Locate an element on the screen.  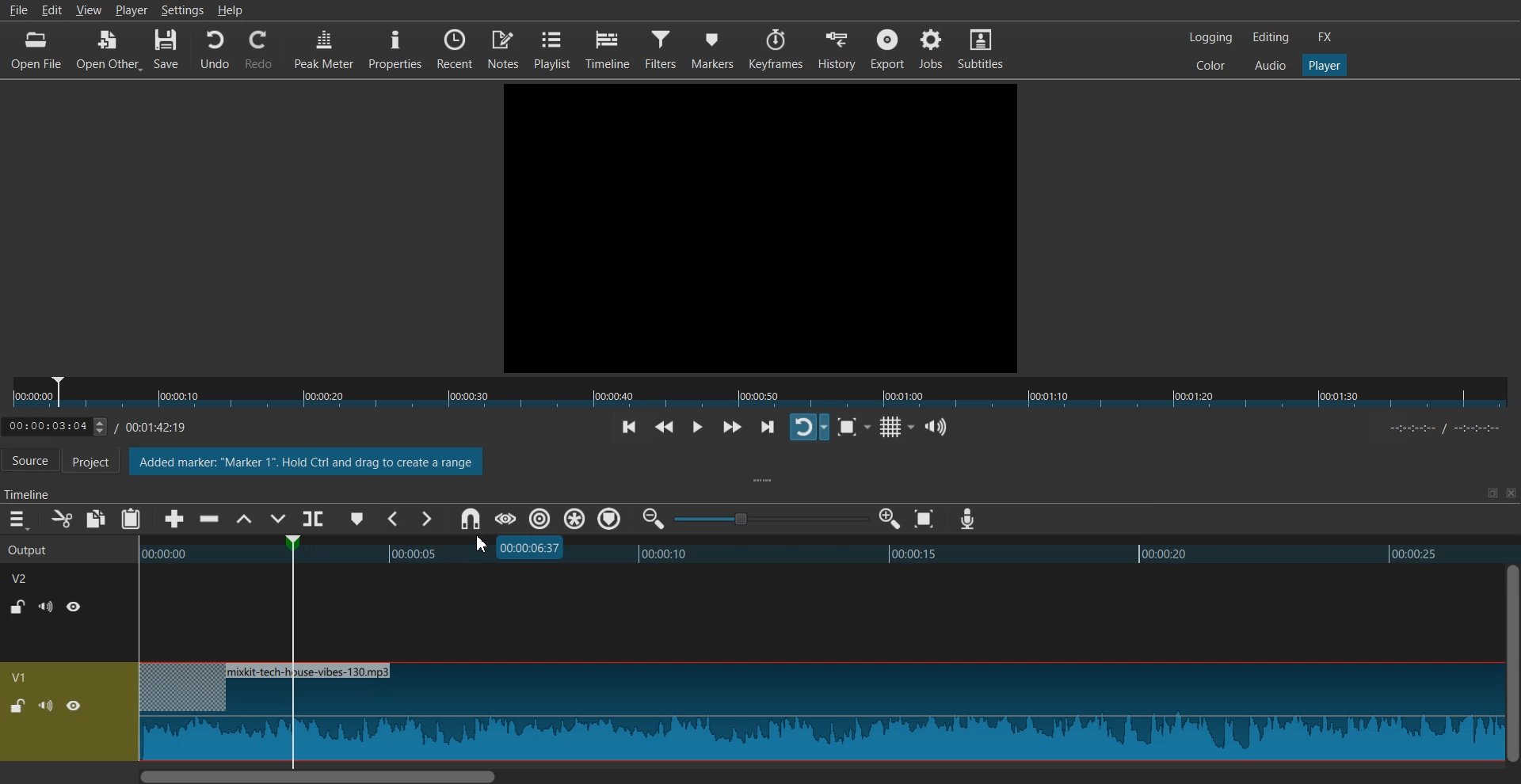
Cut is located at coordinates (62, 519).